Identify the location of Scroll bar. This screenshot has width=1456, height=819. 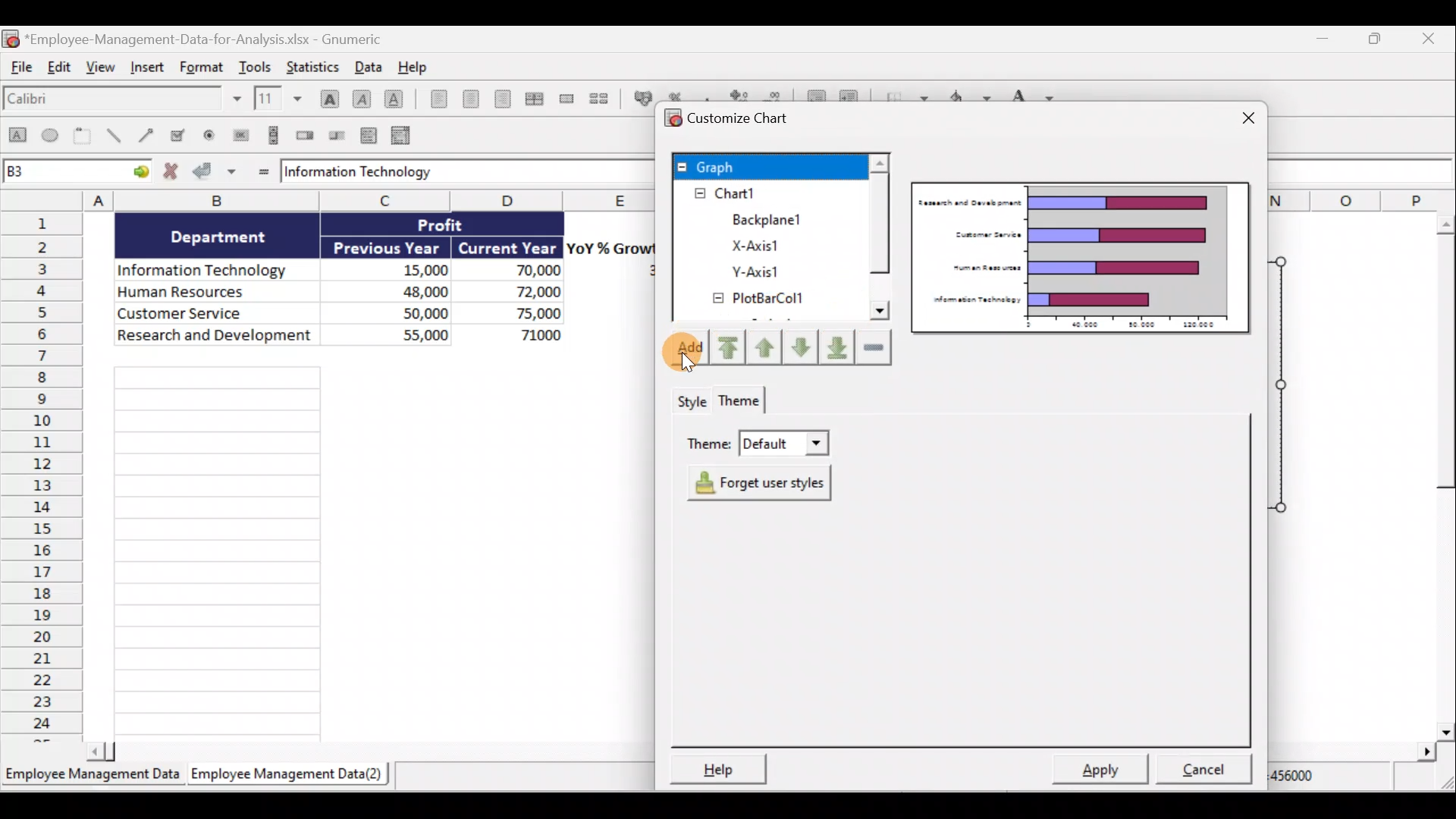
(1438, 476).